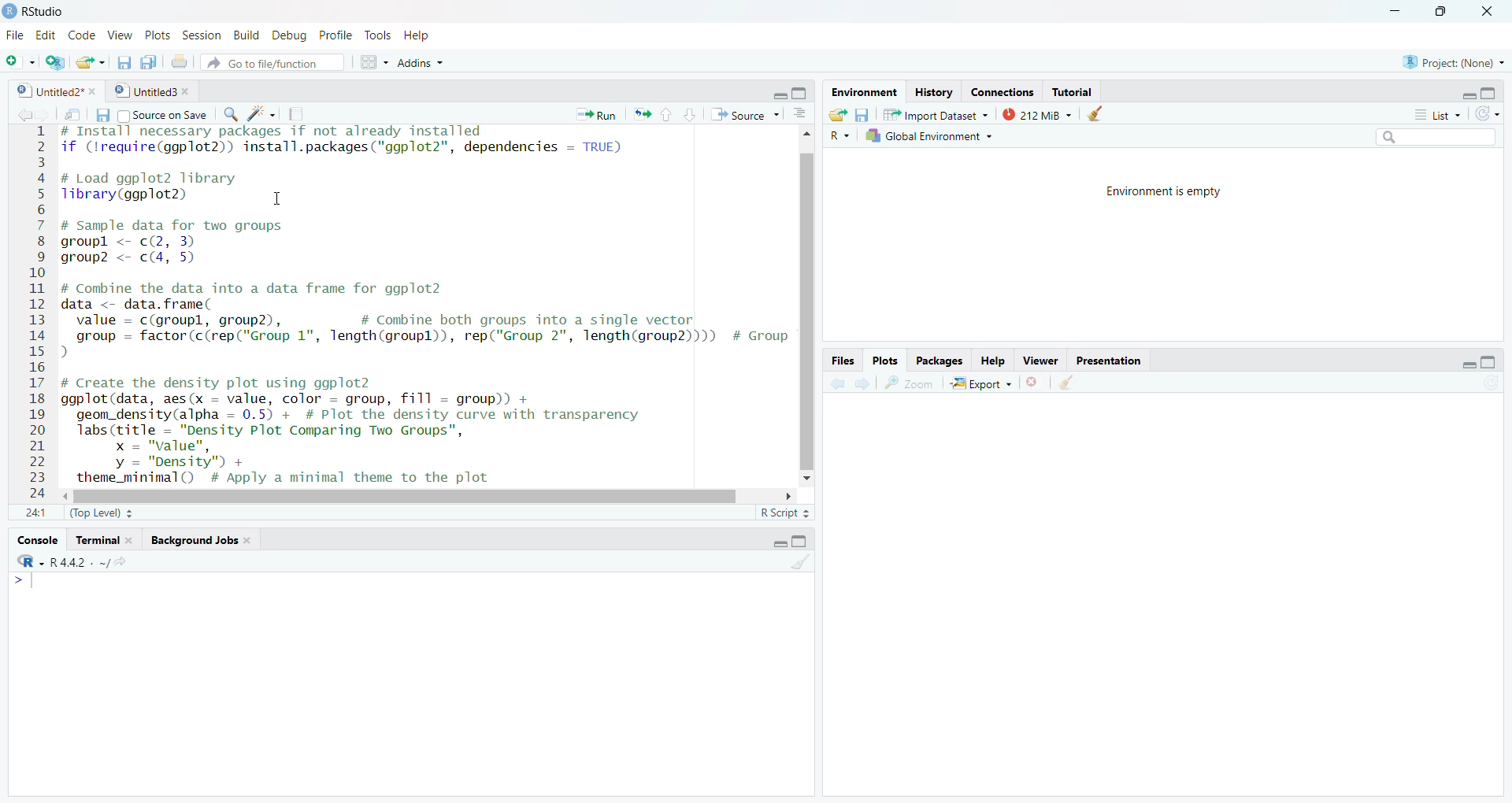  Describe the element at coordinates (803, 96) in the screenshot. I see `maximize` at that location.